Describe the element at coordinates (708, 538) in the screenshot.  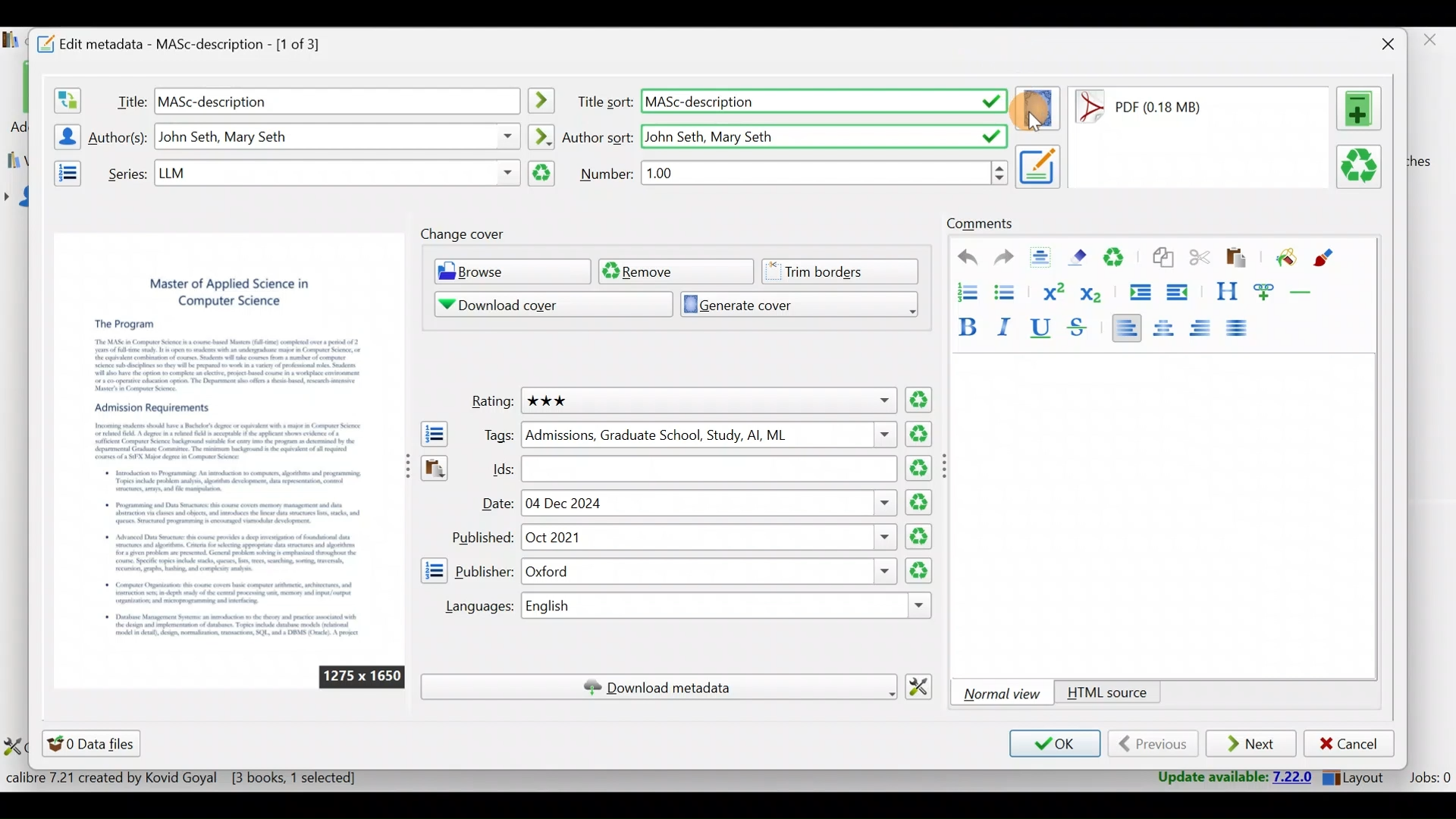
I see `` at that location.